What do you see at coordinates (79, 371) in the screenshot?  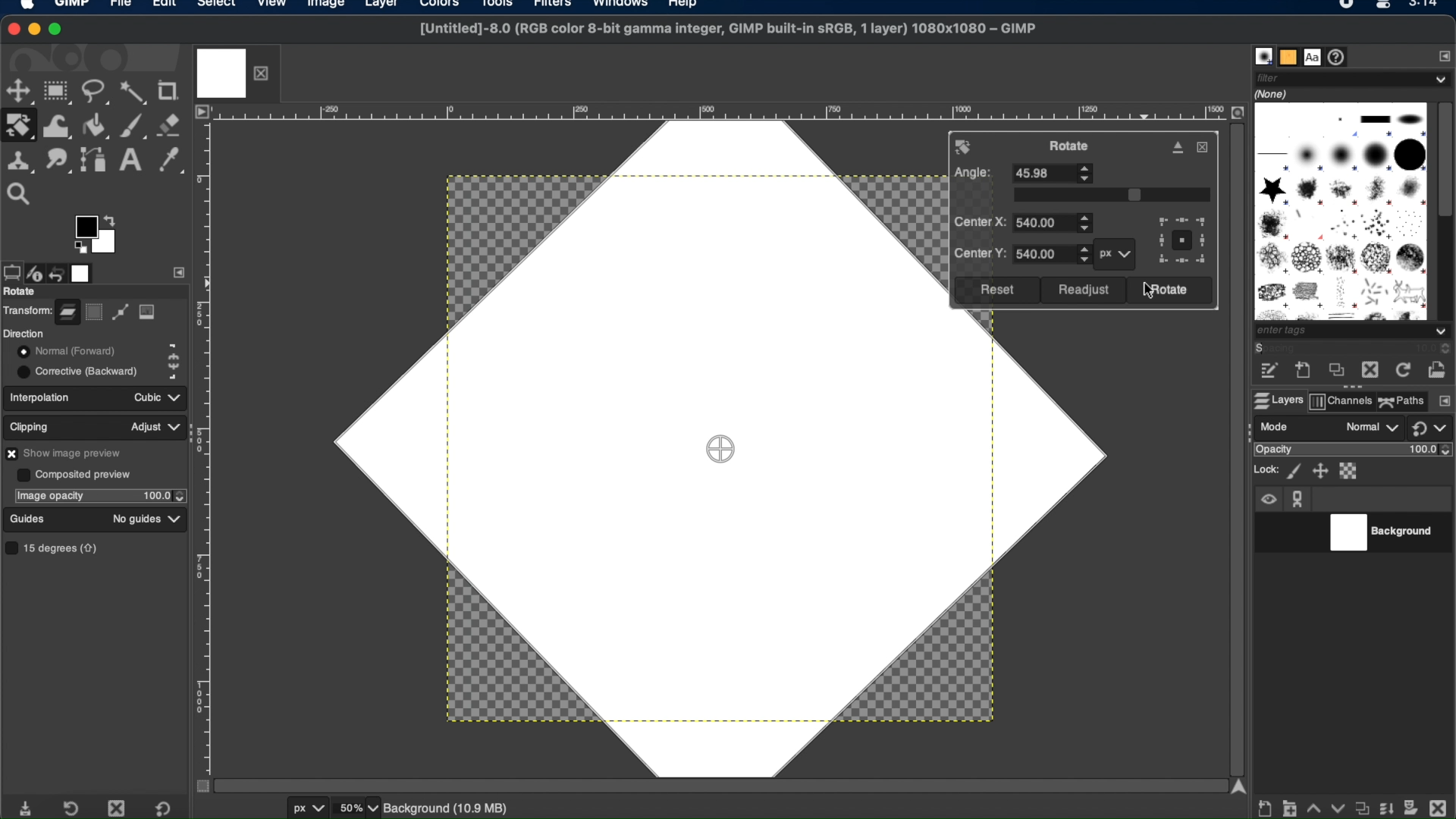 I see `corrective backward toggle` at bounding box center [79, 371].